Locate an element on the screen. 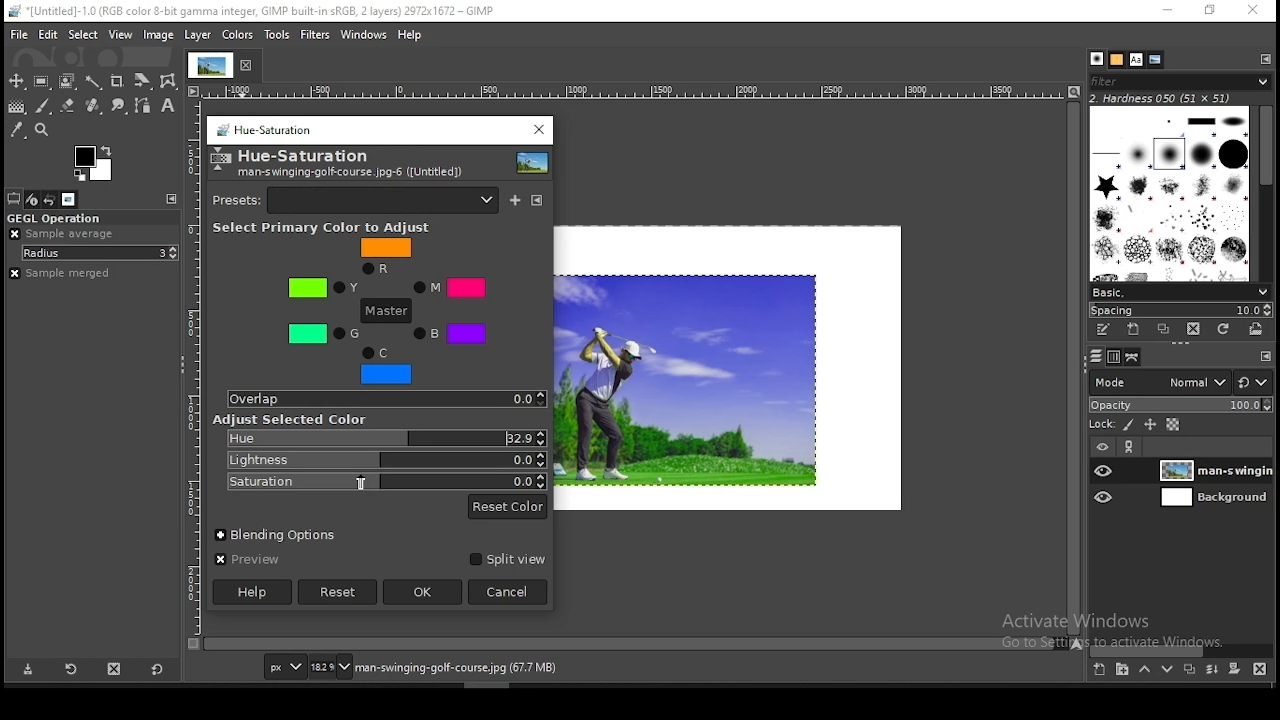 The width and height of the screenshot is (1280, 720). select is located at coordinates (83, 33).